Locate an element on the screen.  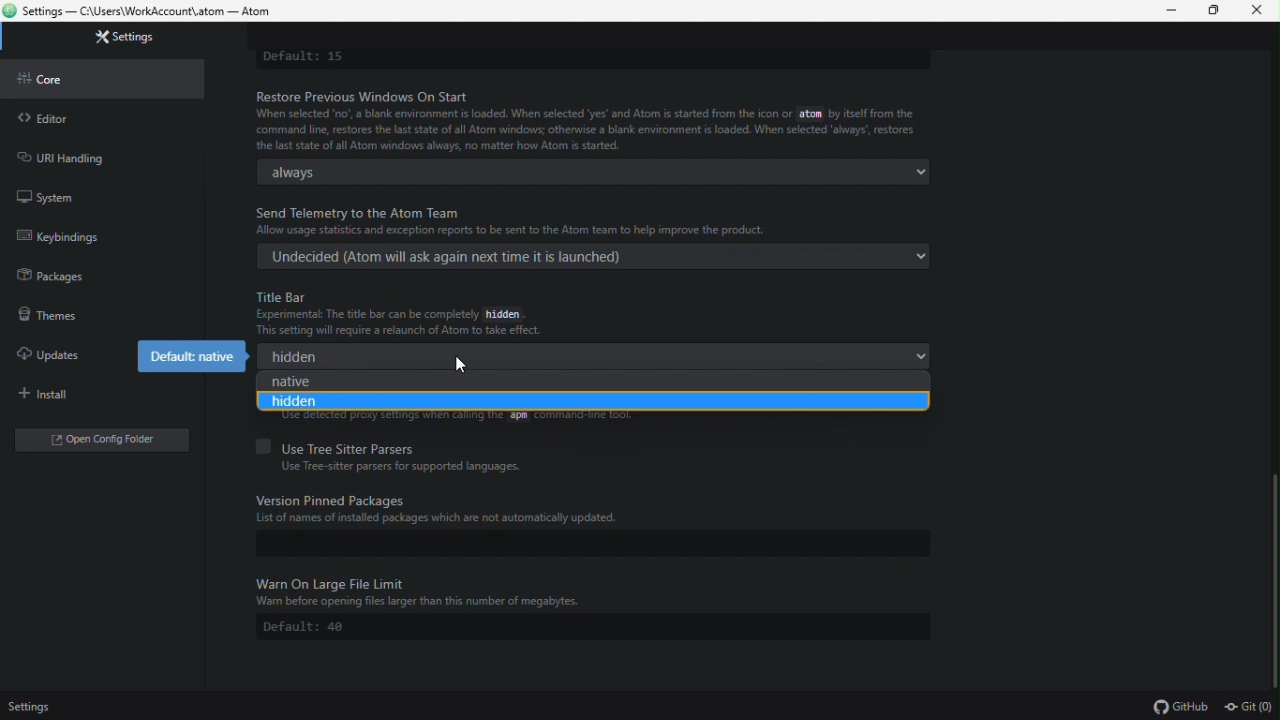
Experimental: The title bar can be completely hidden. This setting will require a relaunch of Atom to take effect. is located at coordinates (402, 323).